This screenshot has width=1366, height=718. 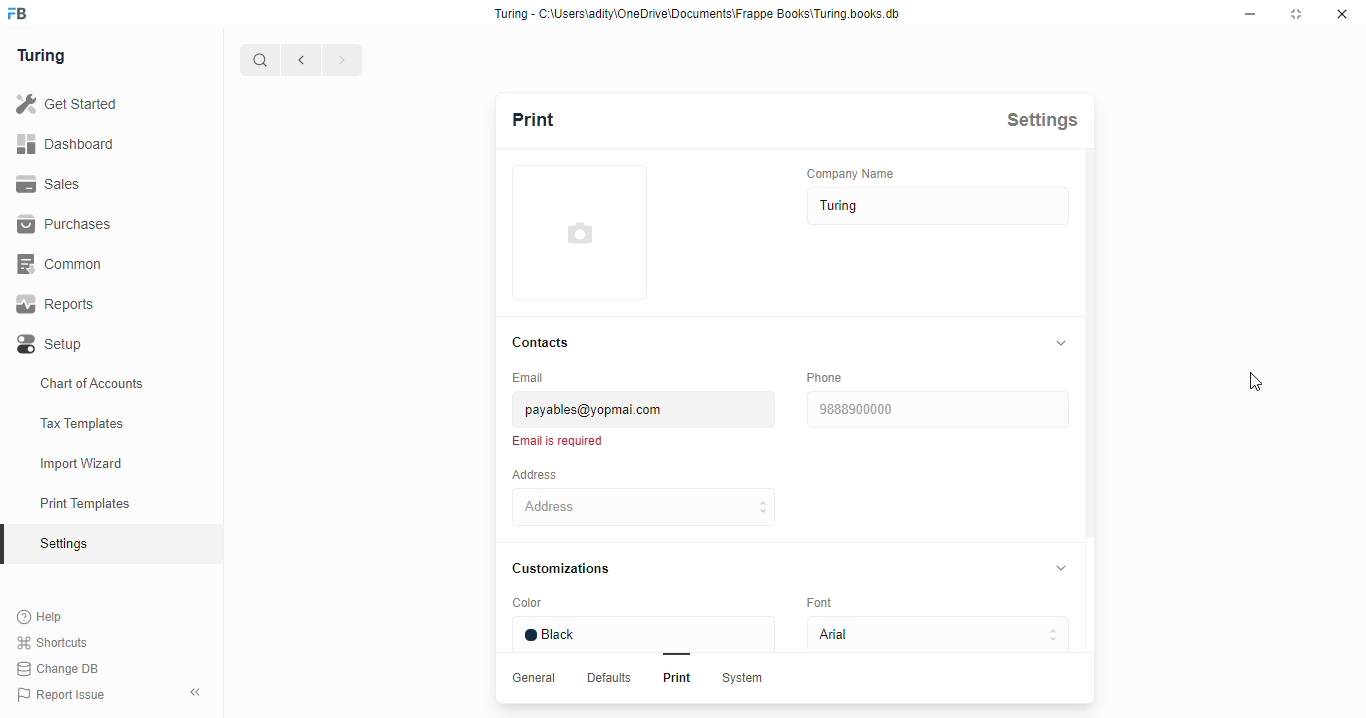 I want to click on Change DB, so click(x=57, y=669).